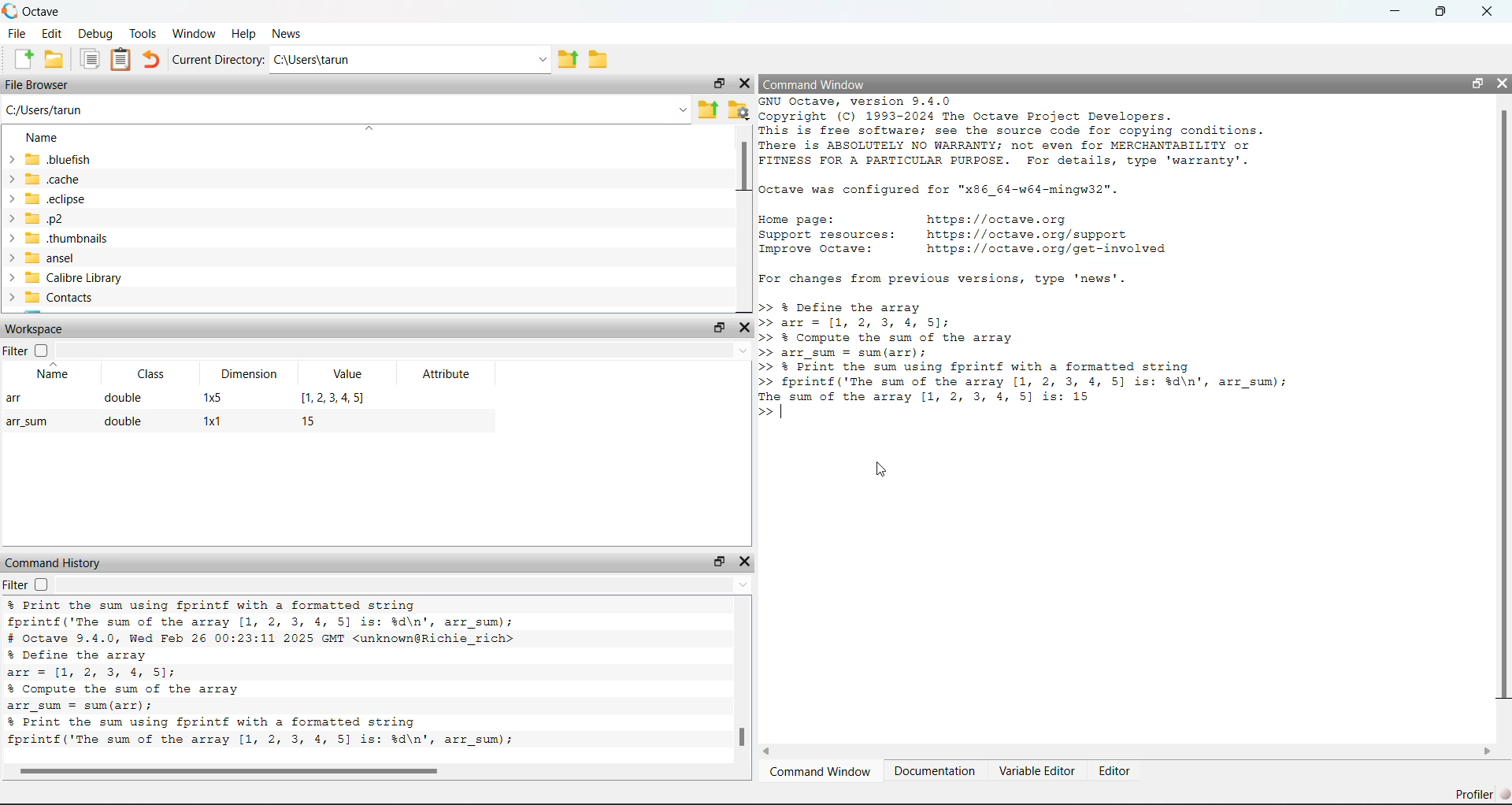 This screenshot has height=805, width=1512. Describe the element at coordinates (38, 135) in the screenshot. I see `Name` at that location.